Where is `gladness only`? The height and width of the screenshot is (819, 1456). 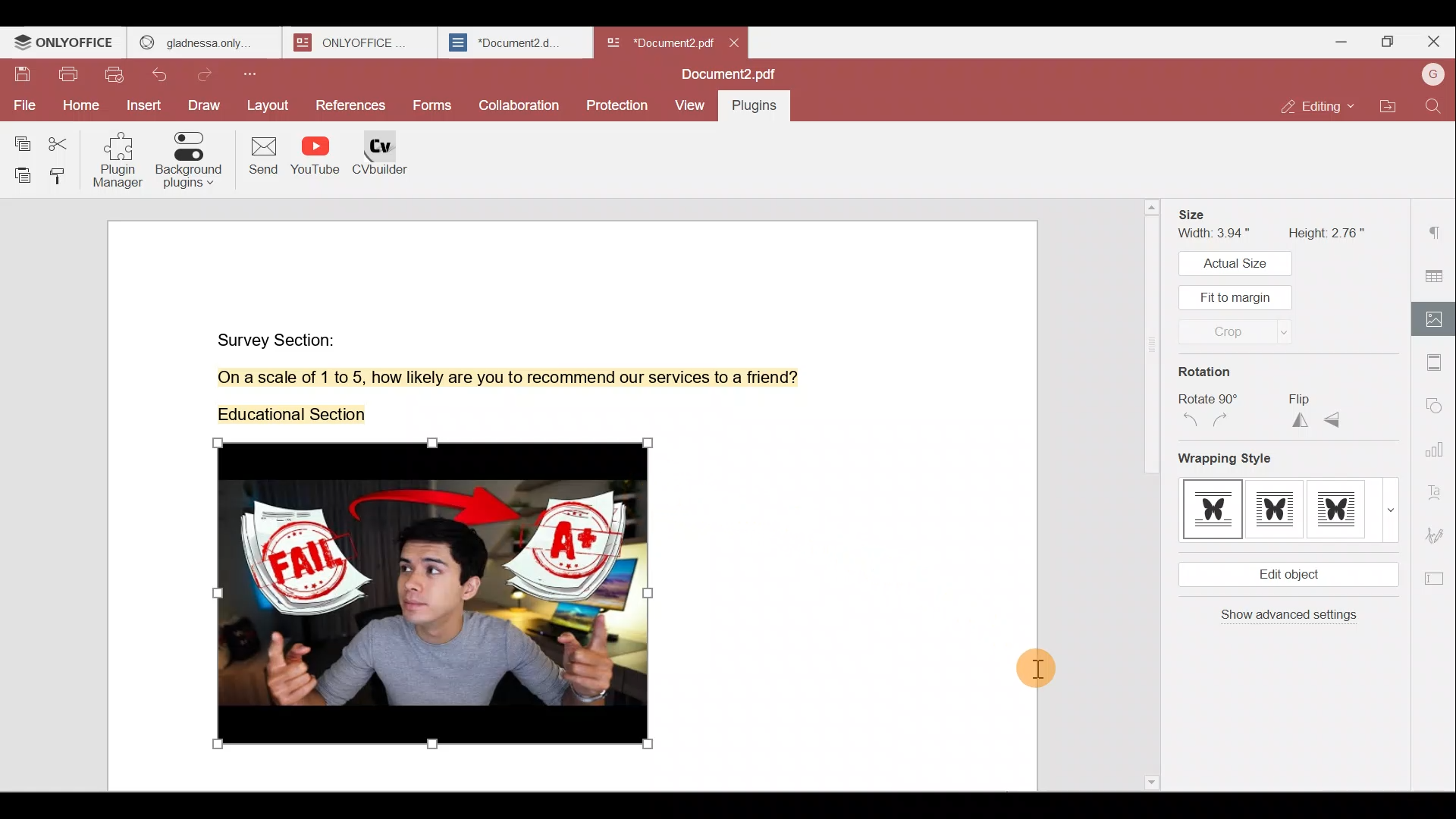
gladness only is located at coordinates (204, 42).